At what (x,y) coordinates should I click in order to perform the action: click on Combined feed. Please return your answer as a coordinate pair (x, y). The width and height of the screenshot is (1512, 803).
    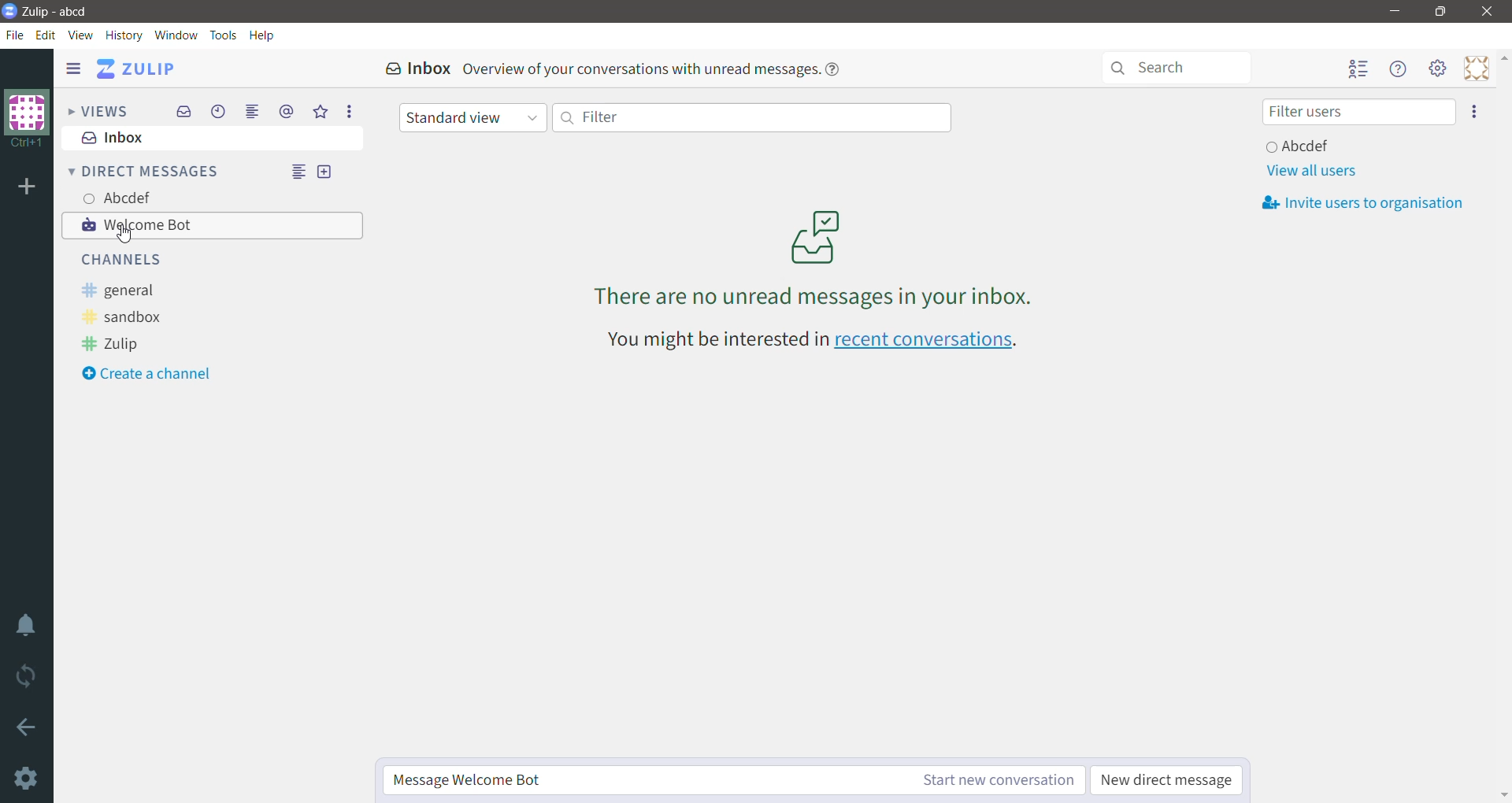
    Looking at the image, I should click on (253, 111).